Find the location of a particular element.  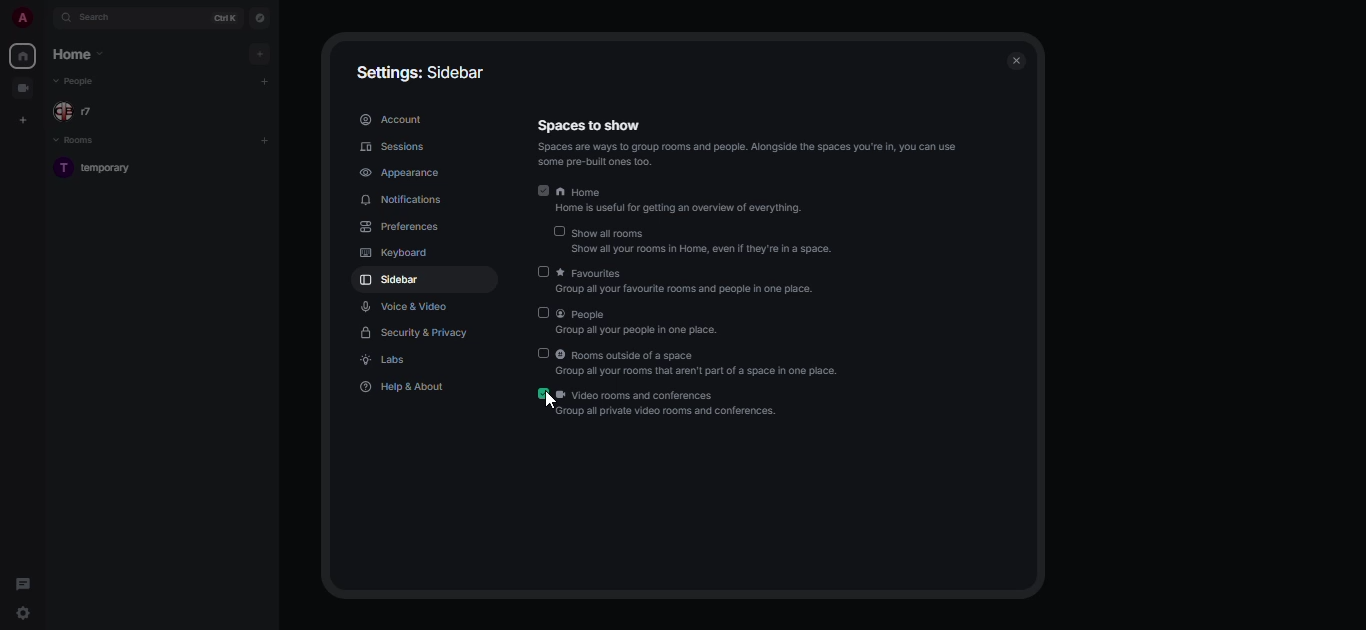

home is located at coordinates (82, 55).